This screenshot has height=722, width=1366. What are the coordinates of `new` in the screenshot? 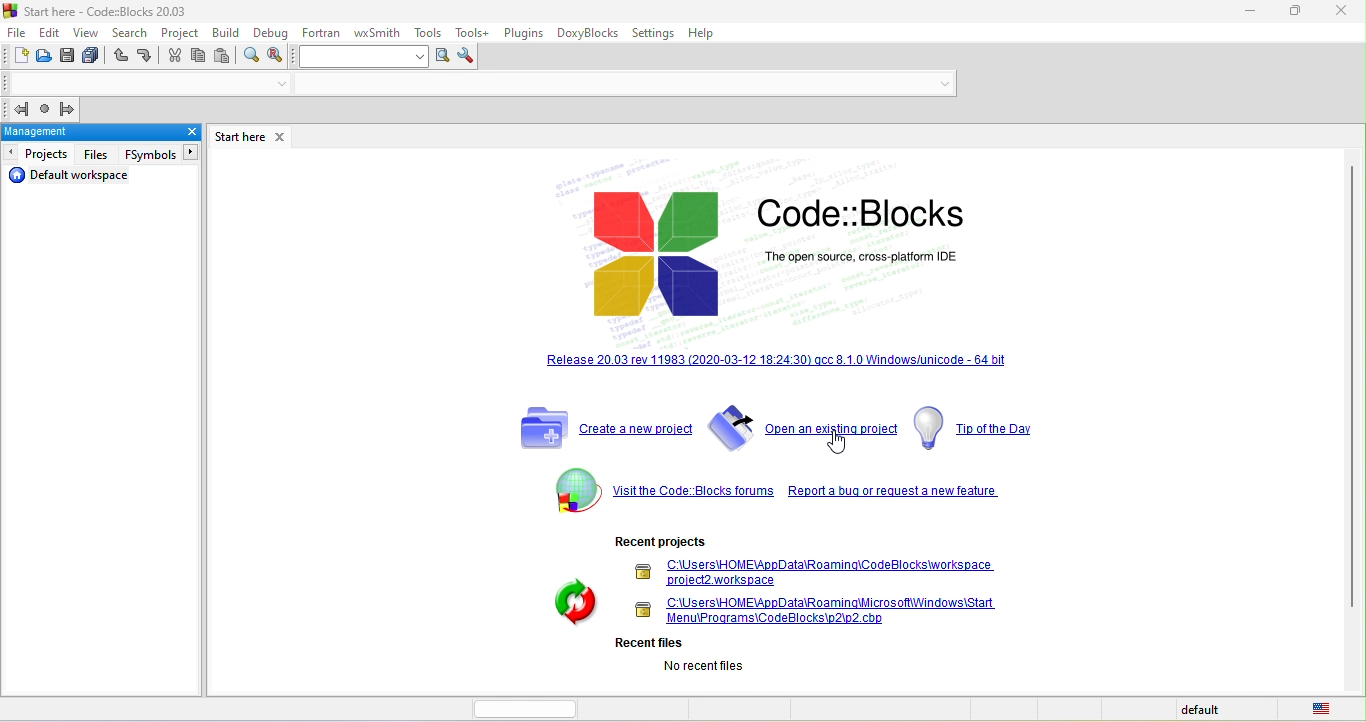 It's located at (18, 55).